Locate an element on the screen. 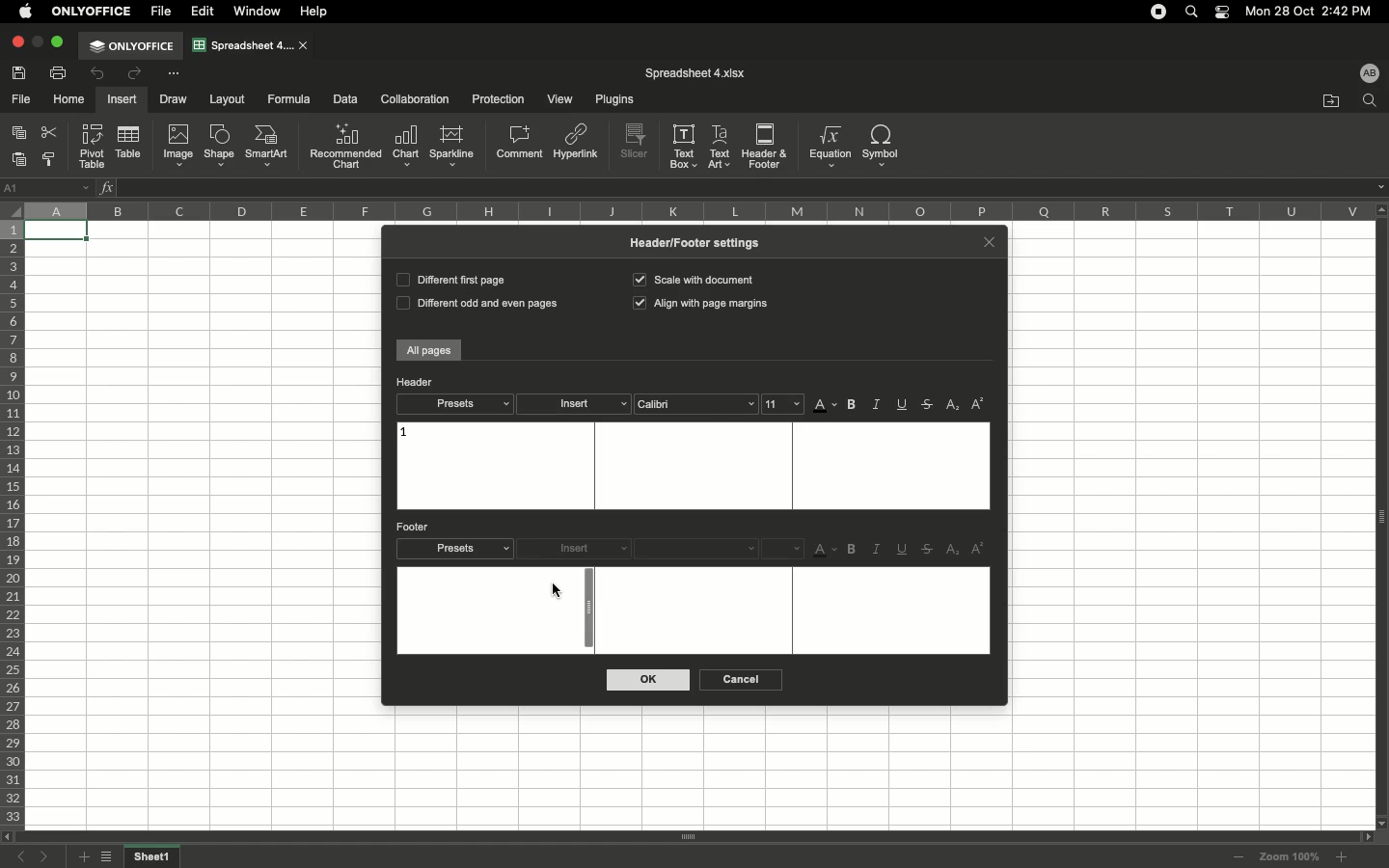  Previous sheet is located at coordinates (25, 858).